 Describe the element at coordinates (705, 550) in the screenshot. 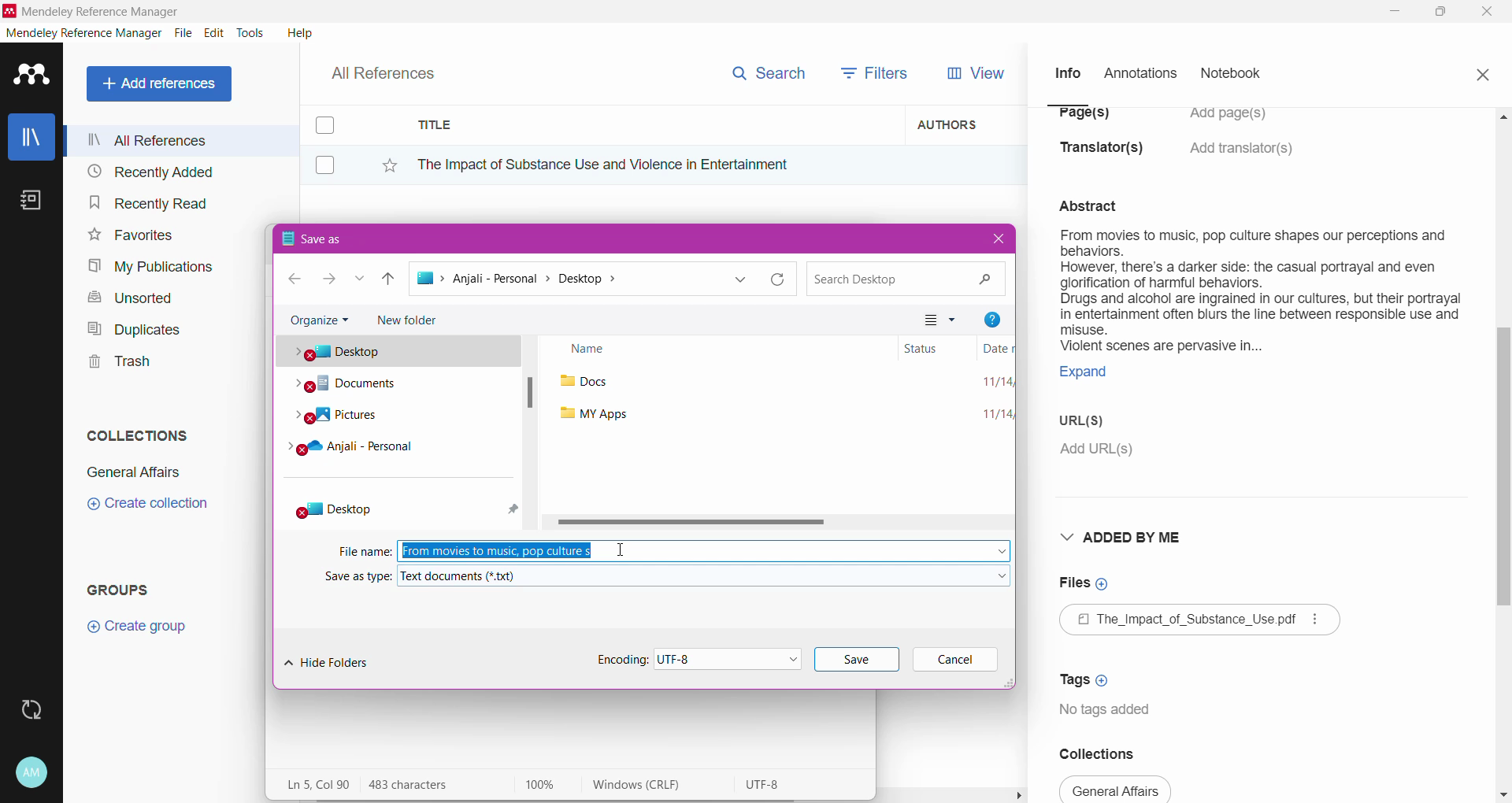

I see `File Name set` at that location.